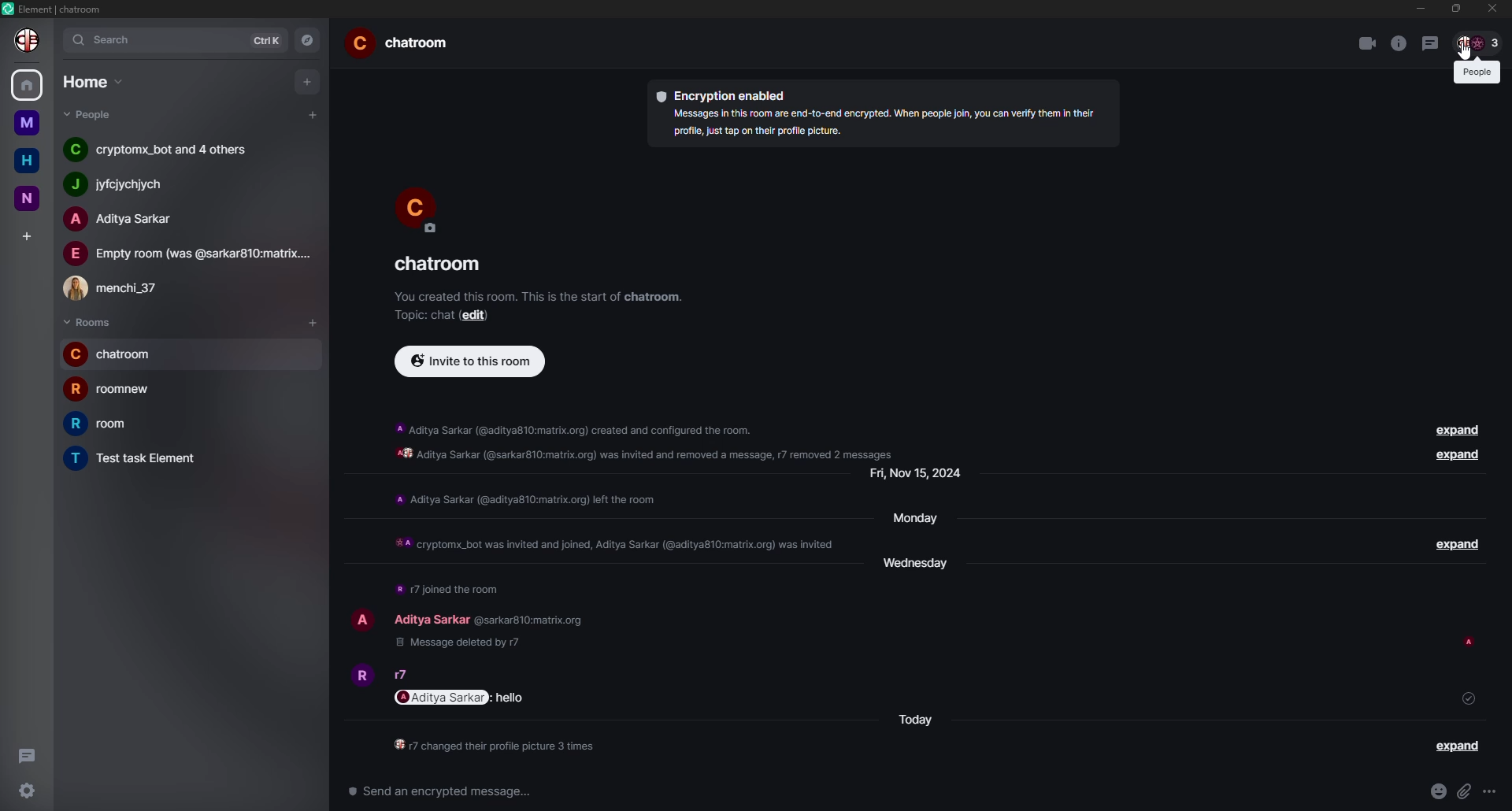 The width and height of the screenshot is (1512, 811). What do you see at coordinates (57, 10) in the screenshot?
I see `element` at bounding box center [57, 10].